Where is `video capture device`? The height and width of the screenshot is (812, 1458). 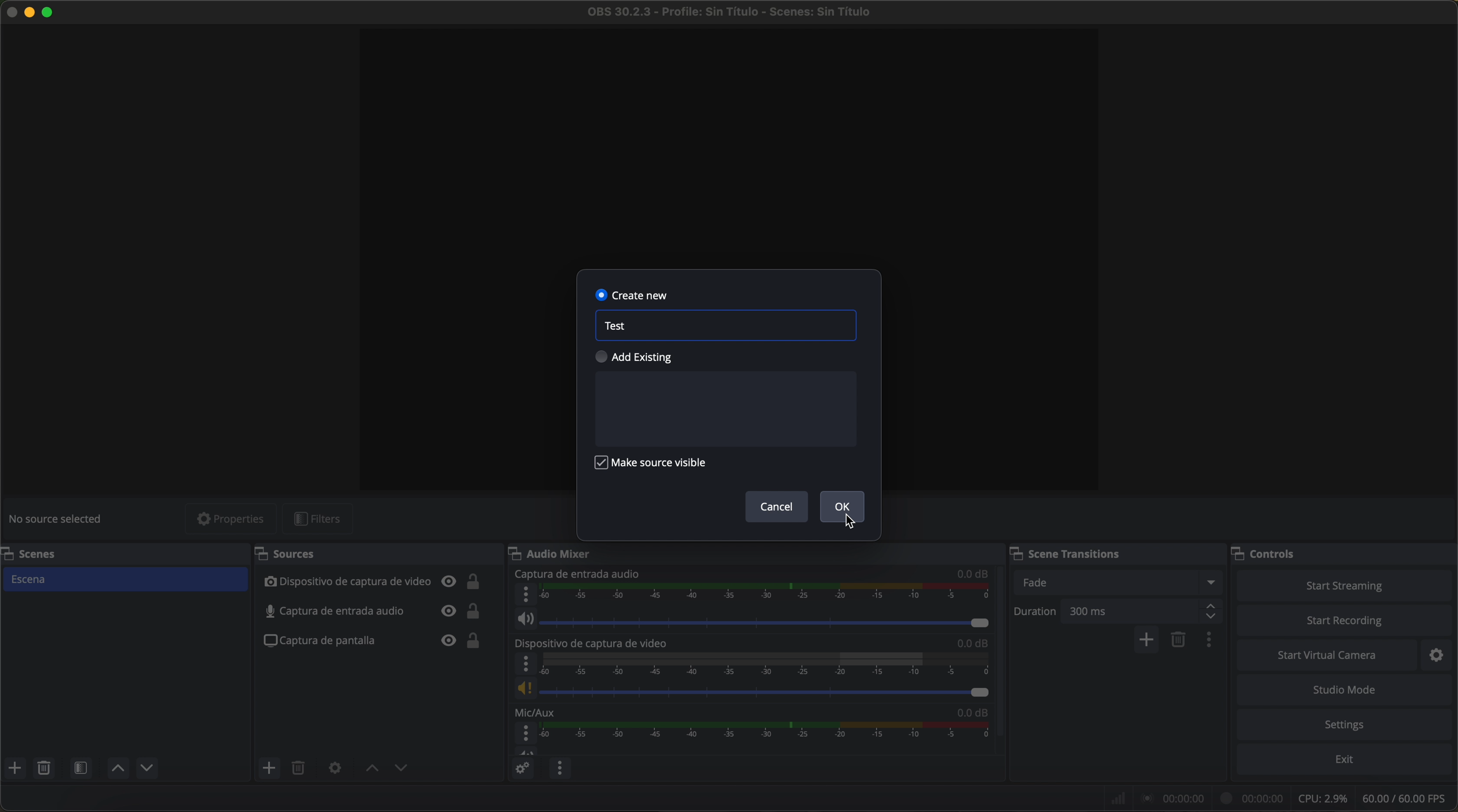 video capture device is located at coordinates (372, 583).